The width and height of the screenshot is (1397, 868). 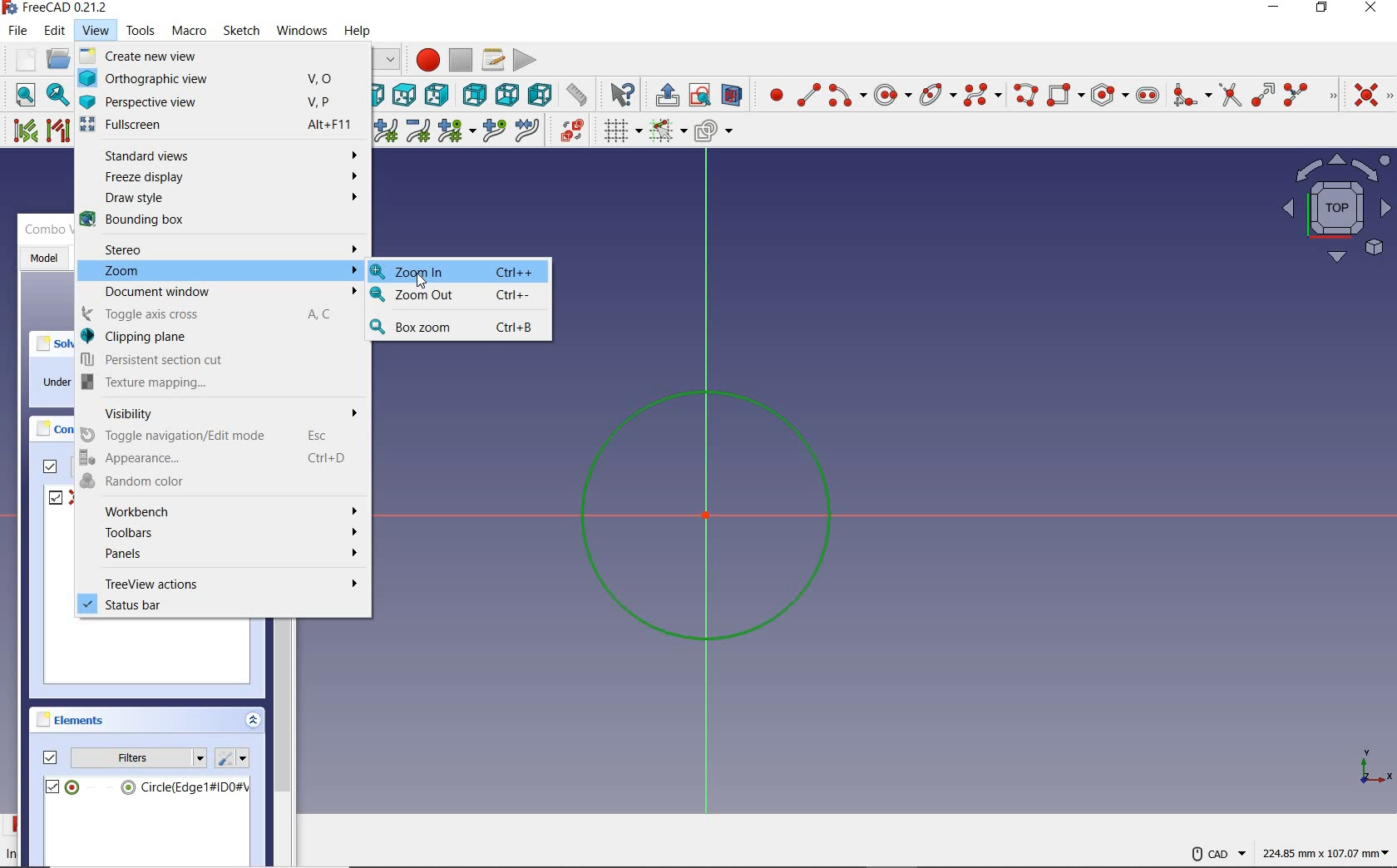 I want to click on select associated constraints, so click(x=20, y=129).